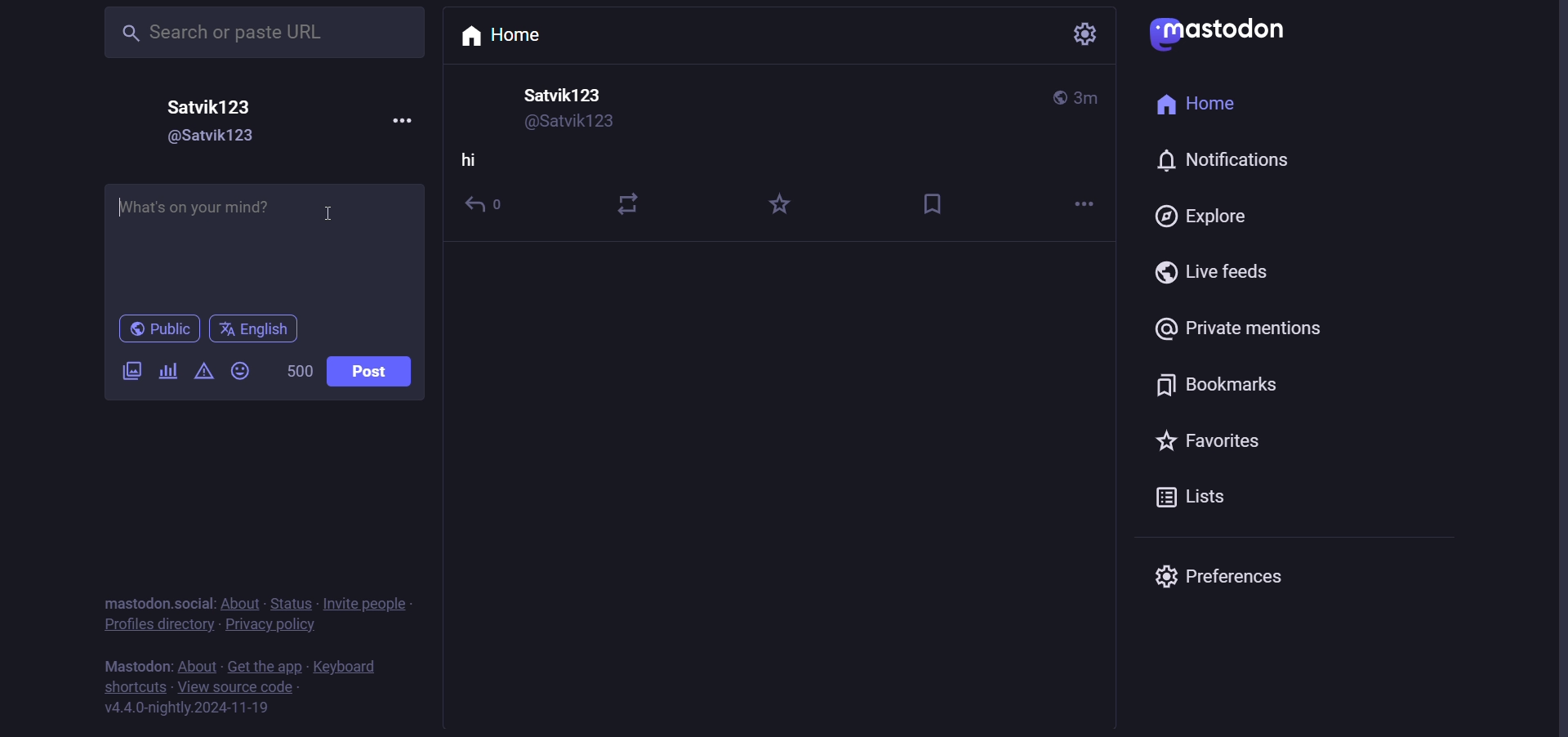 This screenshot has width=1568, height=737. What do you see at coordinates (137, 603) in the screenshot?
I see `text` at bounding box center [137, 603].